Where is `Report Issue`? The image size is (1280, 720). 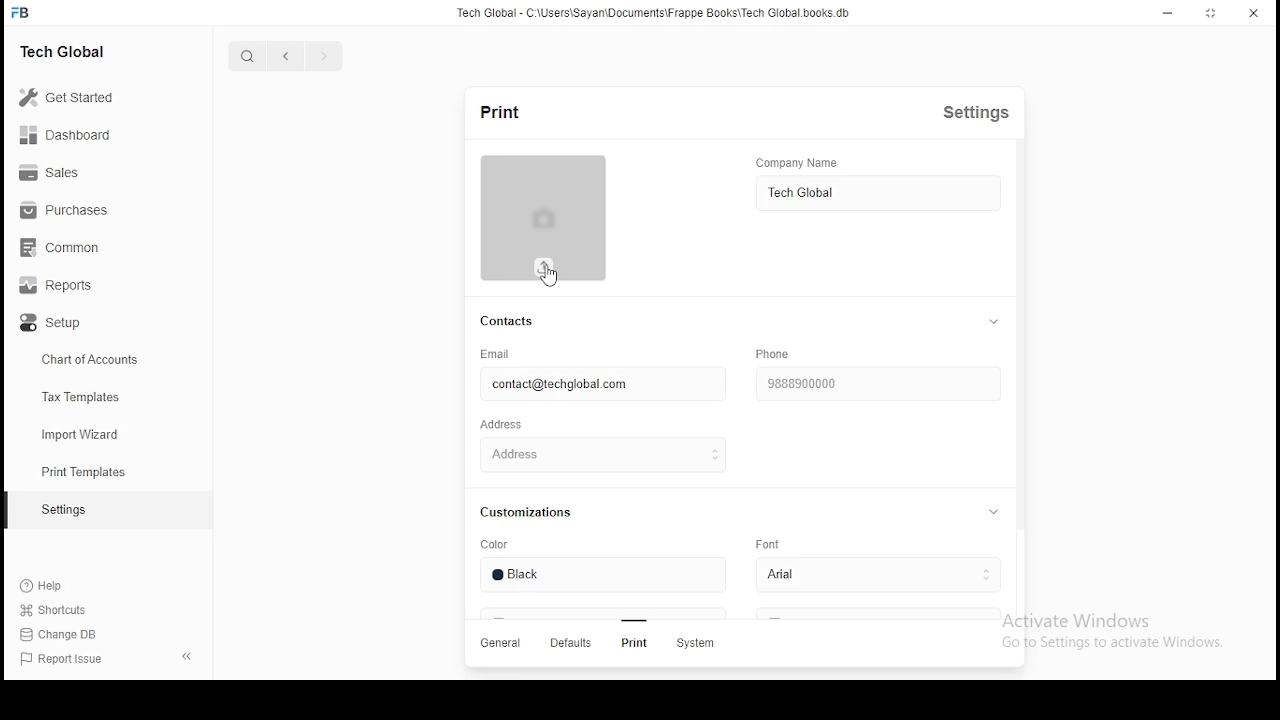 Report Issue is located at coordinates (63, 662).